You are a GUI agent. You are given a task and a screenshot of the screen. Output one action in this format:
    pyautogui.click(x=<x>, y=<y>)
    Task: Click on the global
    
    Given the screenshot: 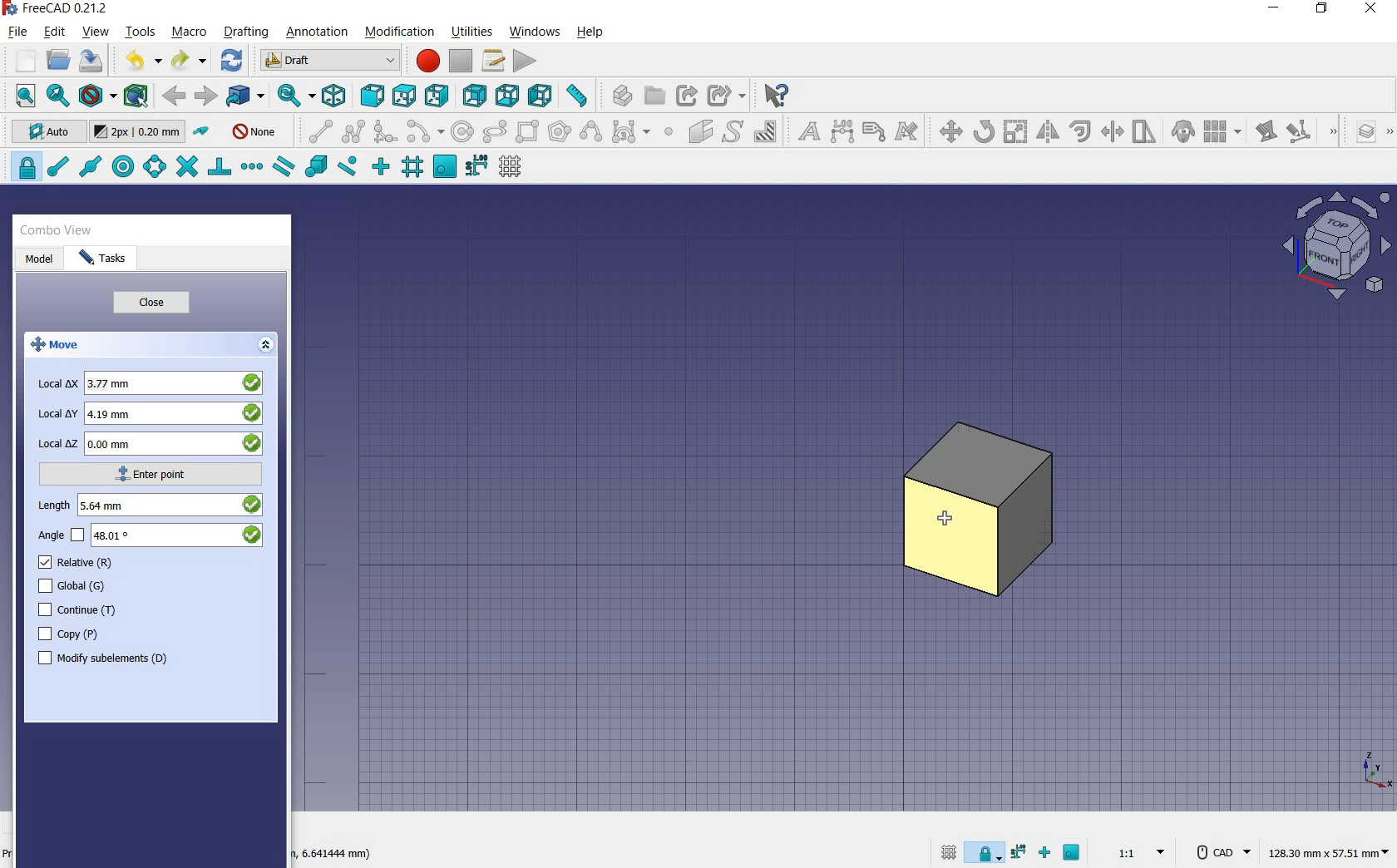 What is the action you would take?
    pyautogui.click(x=71, y=586)
    